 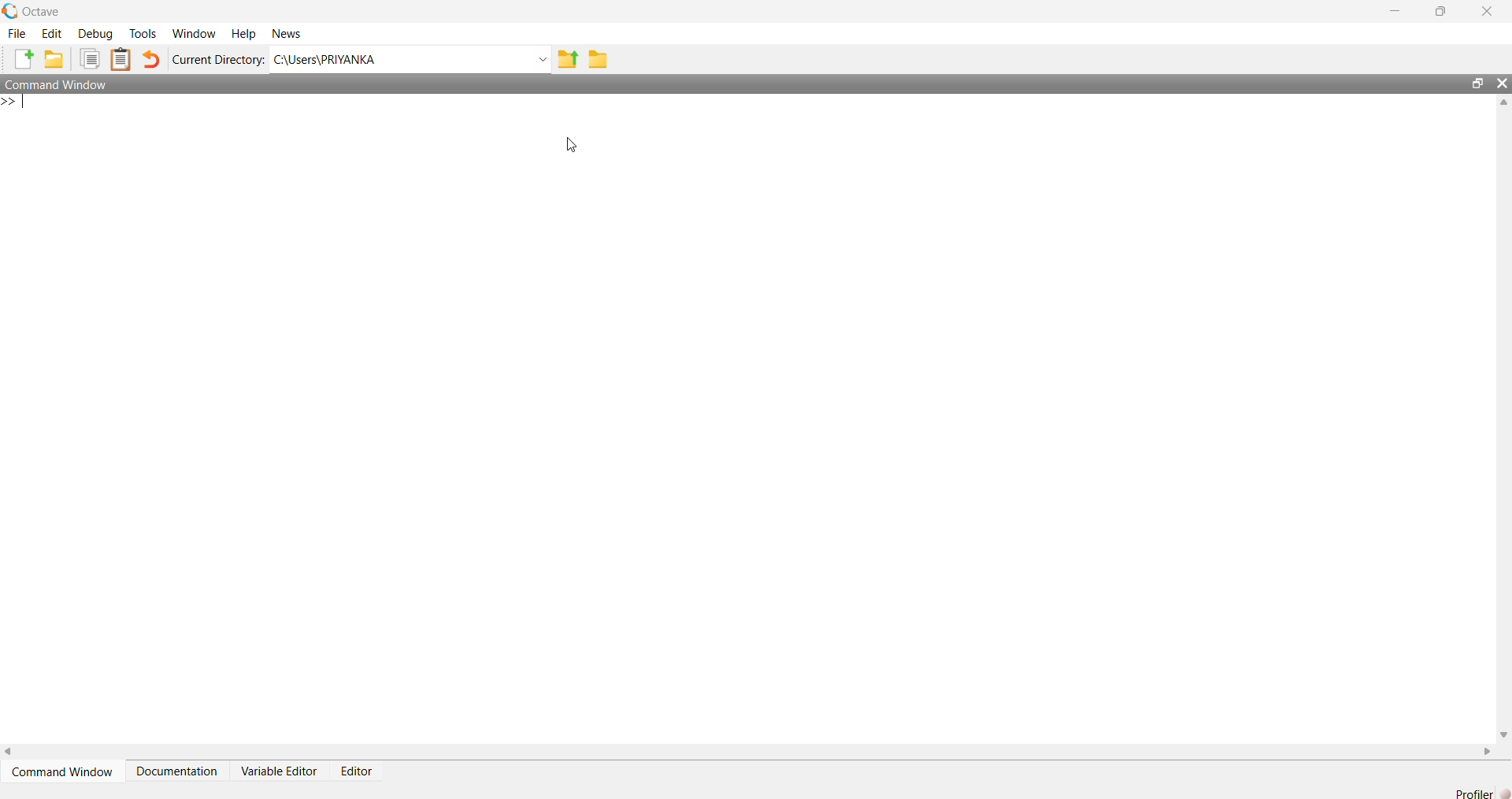 What do you see at coordinates (1484, 751) in the screenshot?
I see `Right` at bounding box center [1484, 751].